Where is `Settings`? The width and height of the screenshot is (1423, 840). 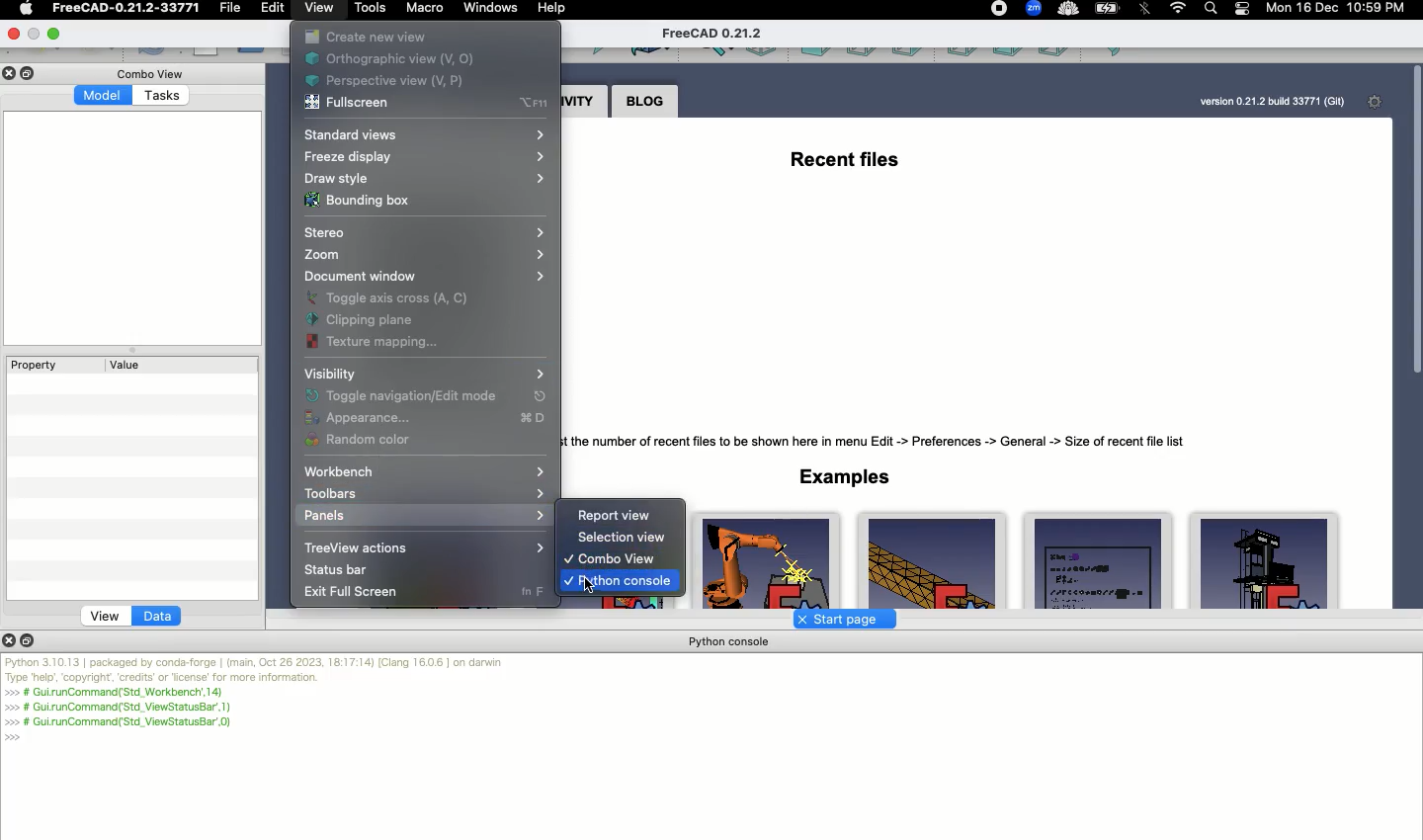 Settings is located at coordinates (1380, 102).